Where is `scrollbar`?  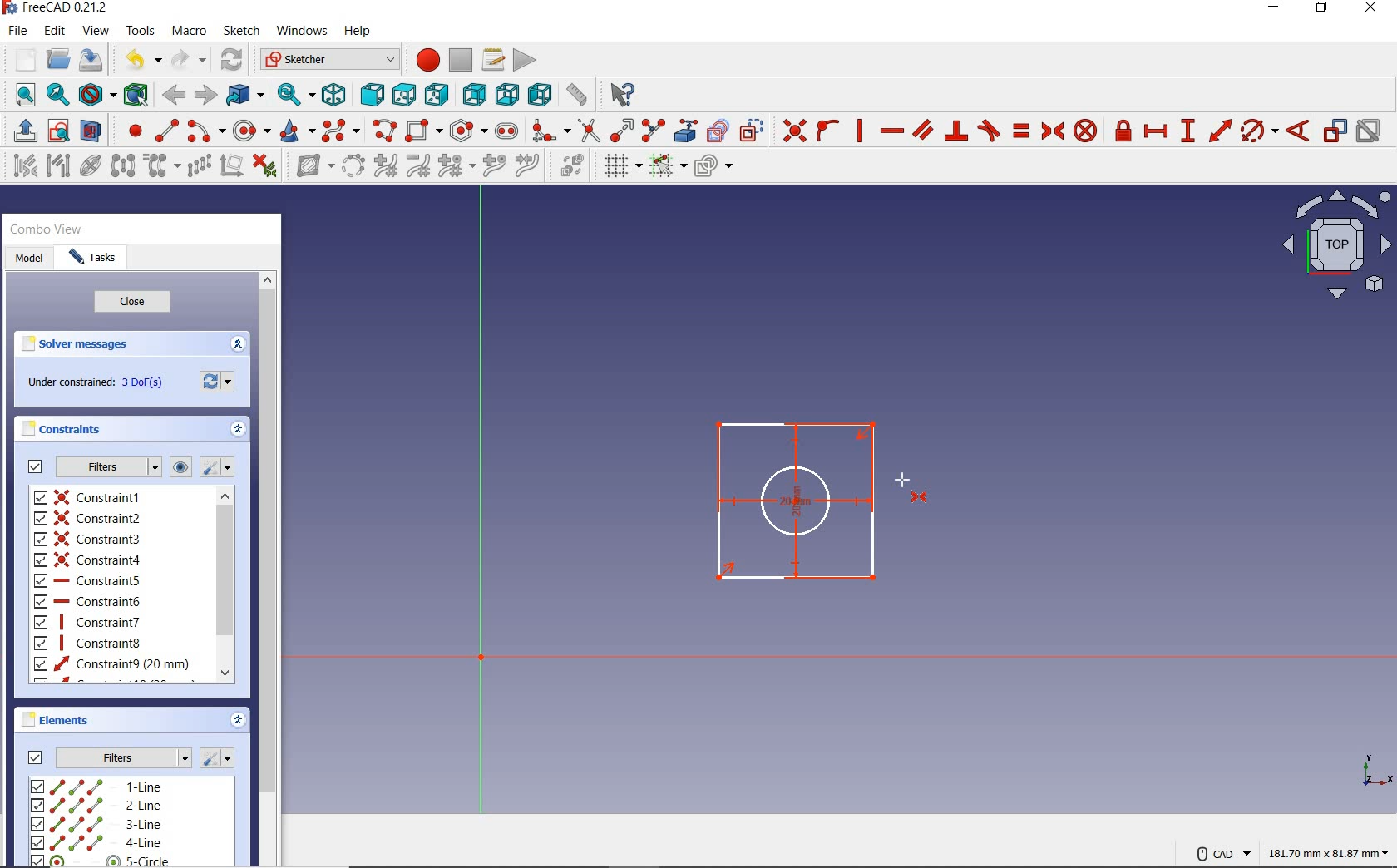 scrollbar is located at coordinates (268, 577).